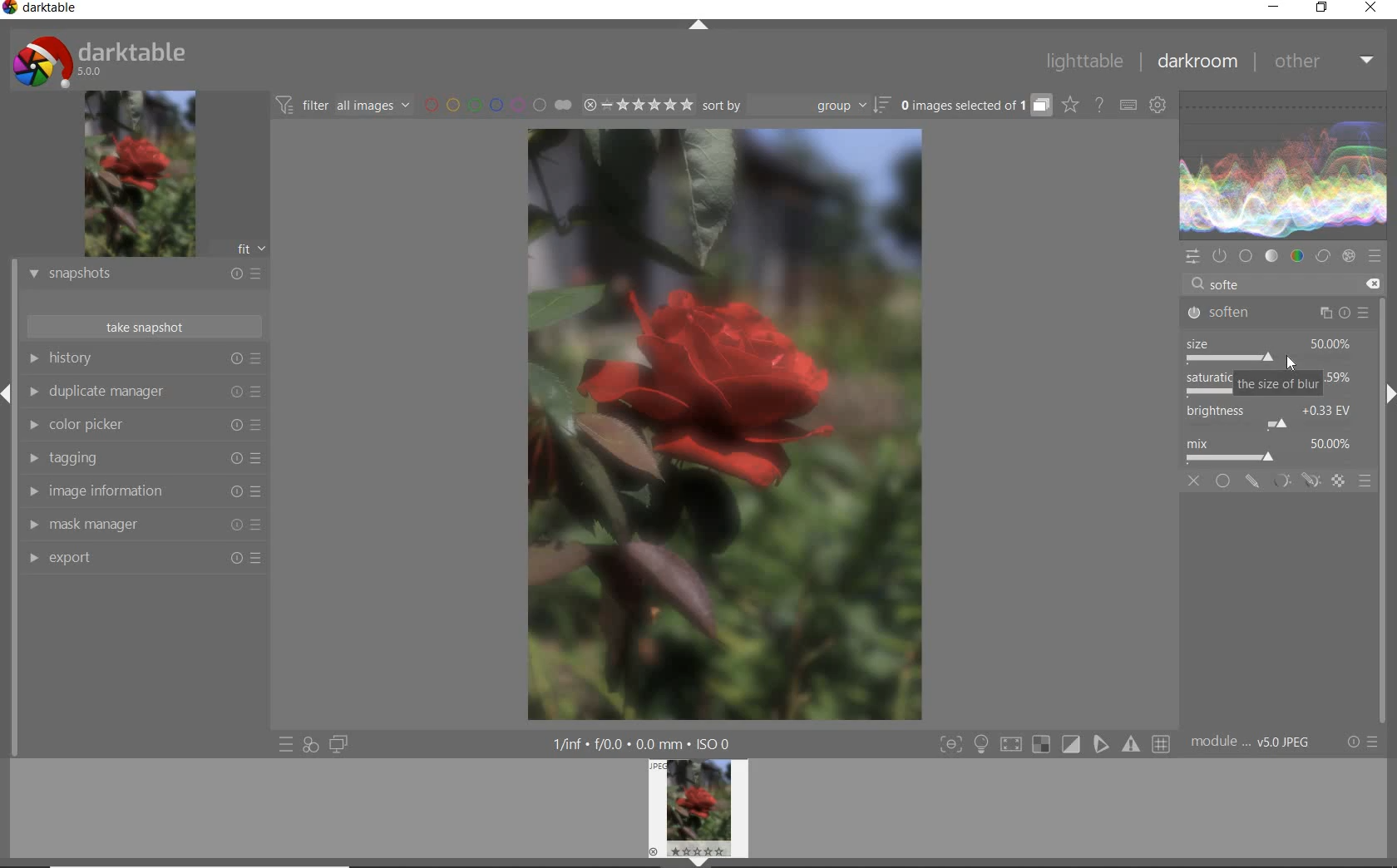 This screenshot has height=868, width=1397. What do you see at coordinates (1322, 63) in the screenshot?
I see `other` at bounding box center [1322, 63].